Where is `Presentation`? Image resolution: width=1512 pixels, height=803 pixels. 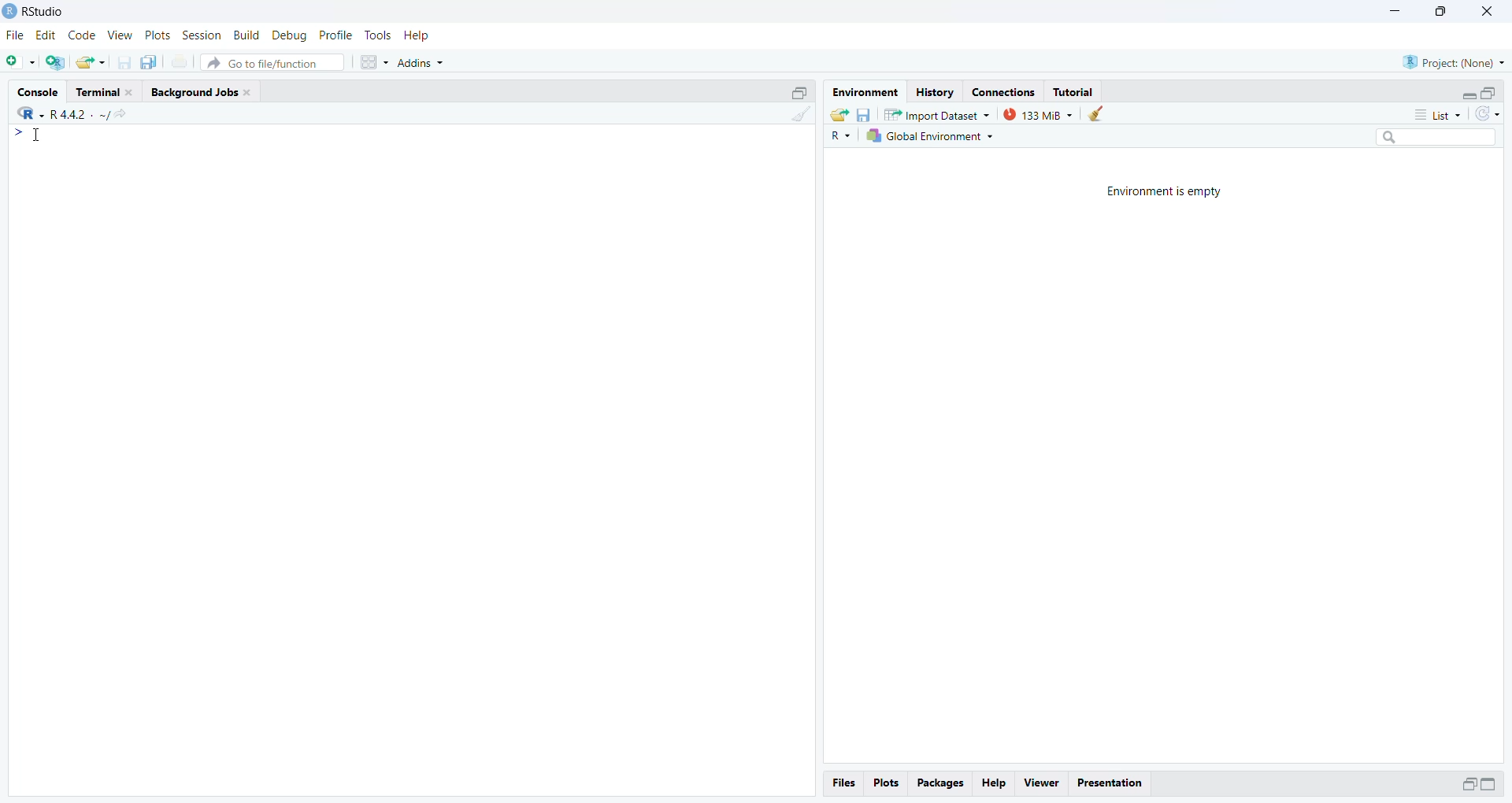
Presentation is located at coordinates (1112, 783).